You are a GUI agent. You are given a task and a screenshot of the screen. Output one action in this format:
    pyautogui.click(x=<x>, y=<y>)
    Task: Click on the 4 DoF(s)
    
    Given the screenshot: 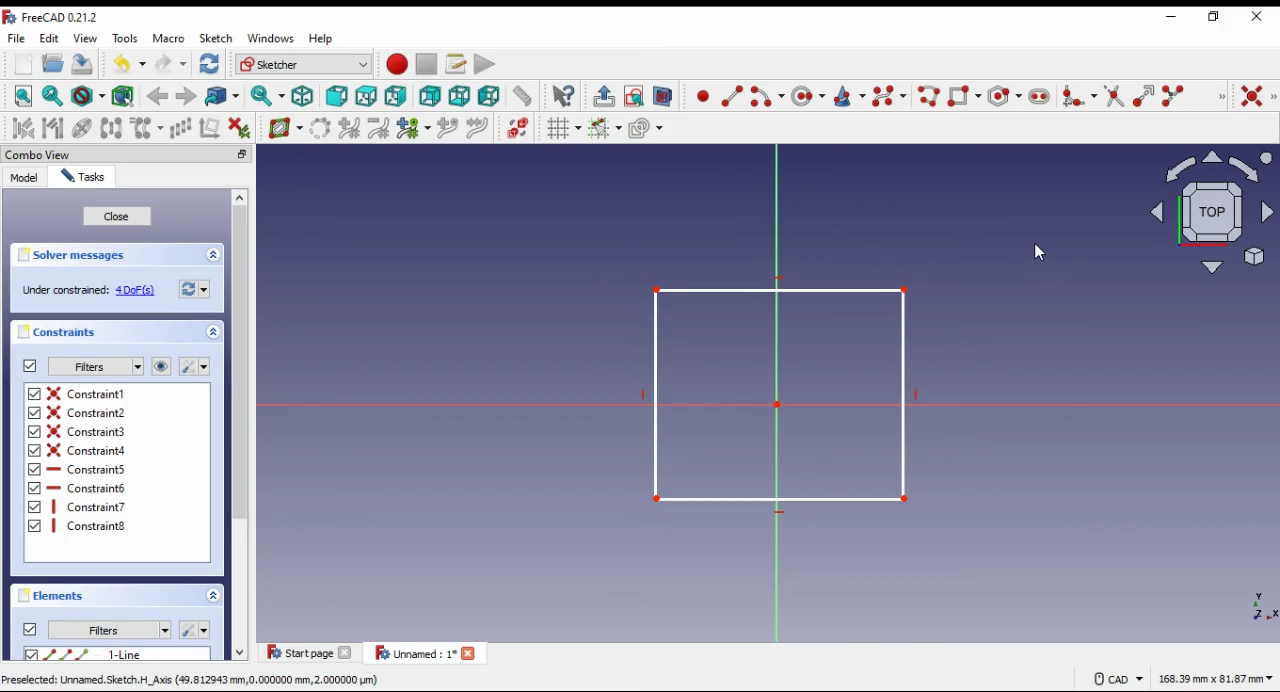 What is the action you would take?
    pyautogui.click(x=137, y=291)
    